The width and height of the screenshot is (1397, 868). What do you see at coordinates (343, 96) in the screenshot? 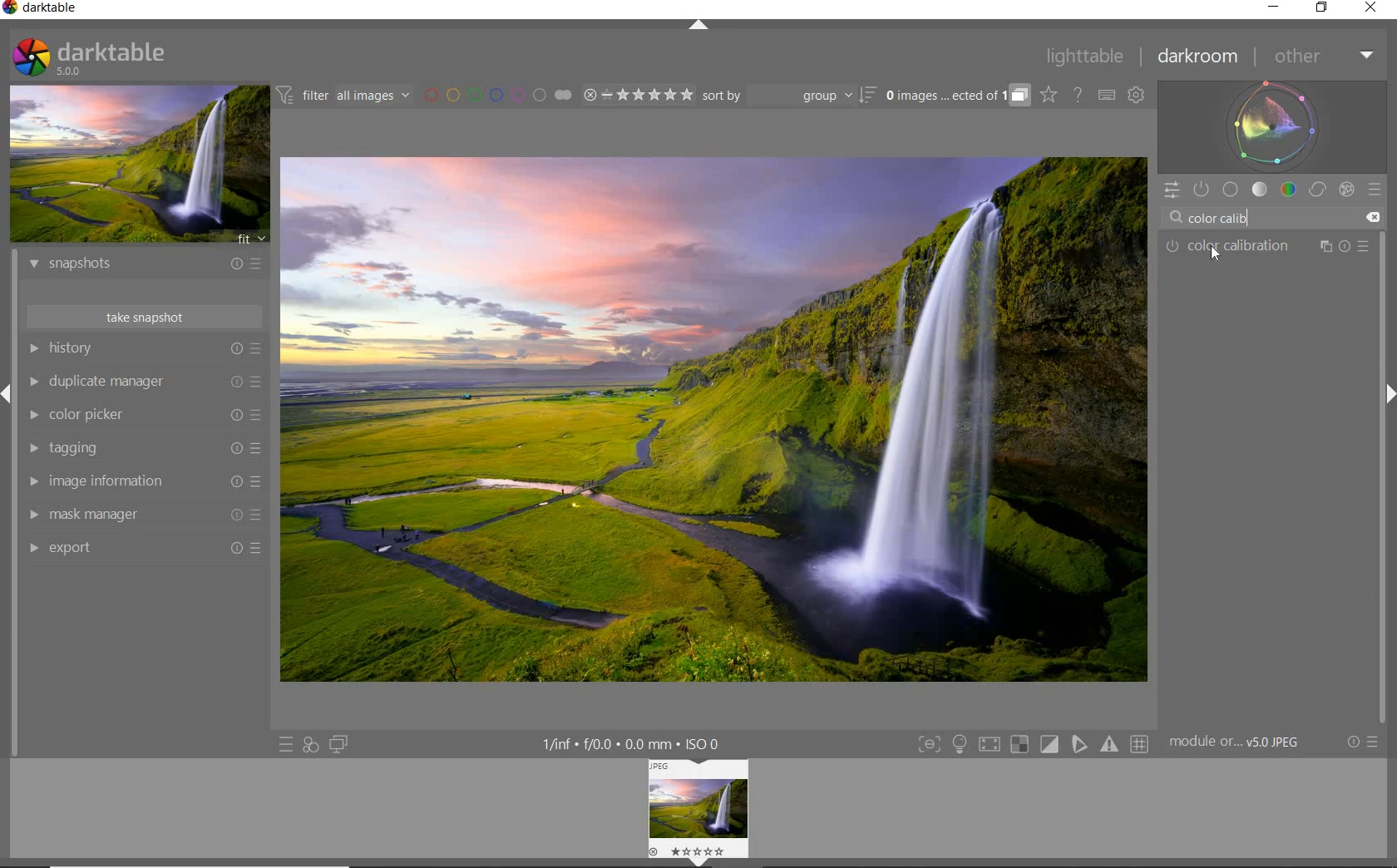
I see `FILTER IMAGES BASED ON THEIR MODULE ORDER` at bounding box center [343, 96].